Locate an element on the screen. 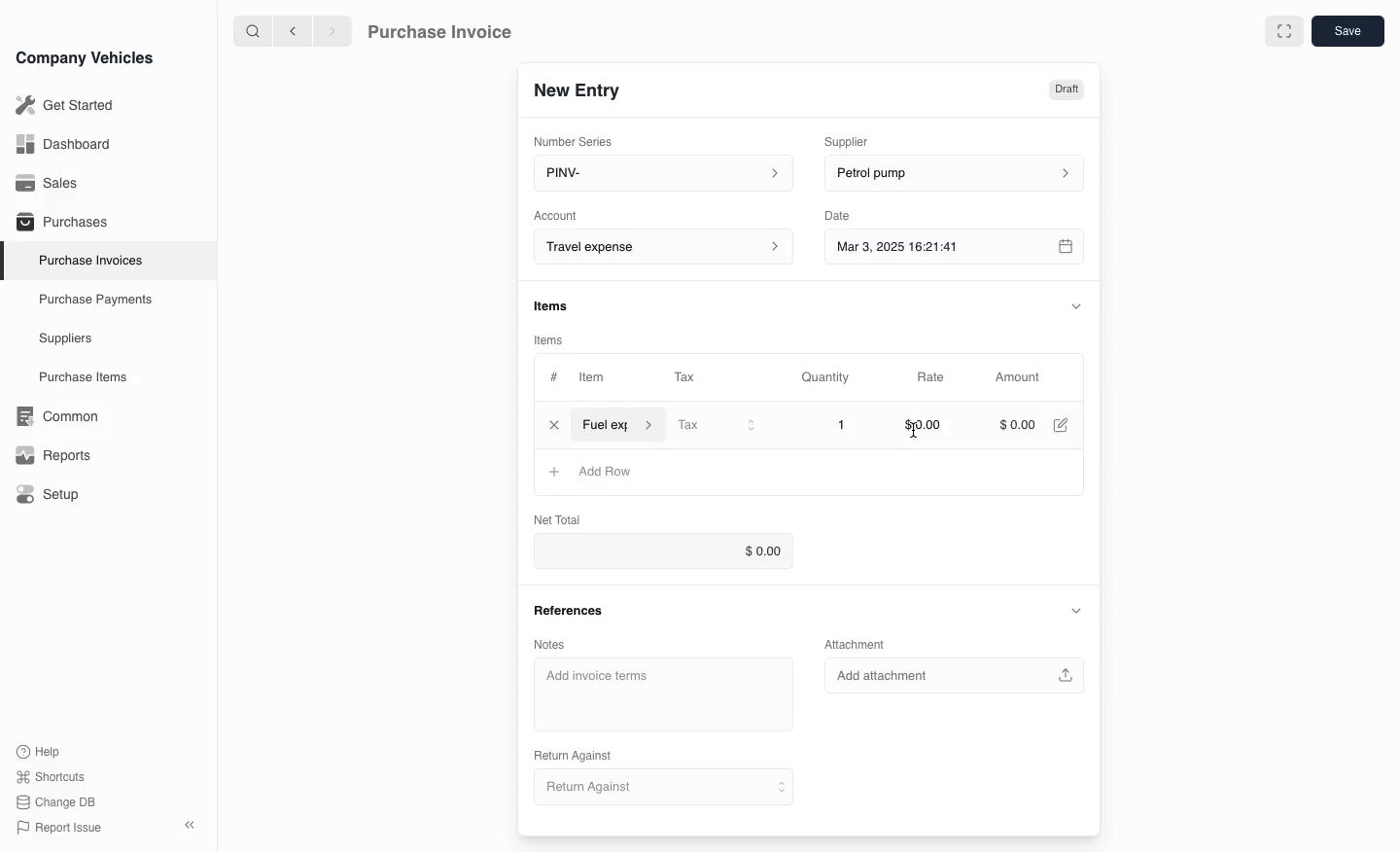 The height and width of the screenshot is (852, 1400). Amount is located at coordinates (1022, 377).